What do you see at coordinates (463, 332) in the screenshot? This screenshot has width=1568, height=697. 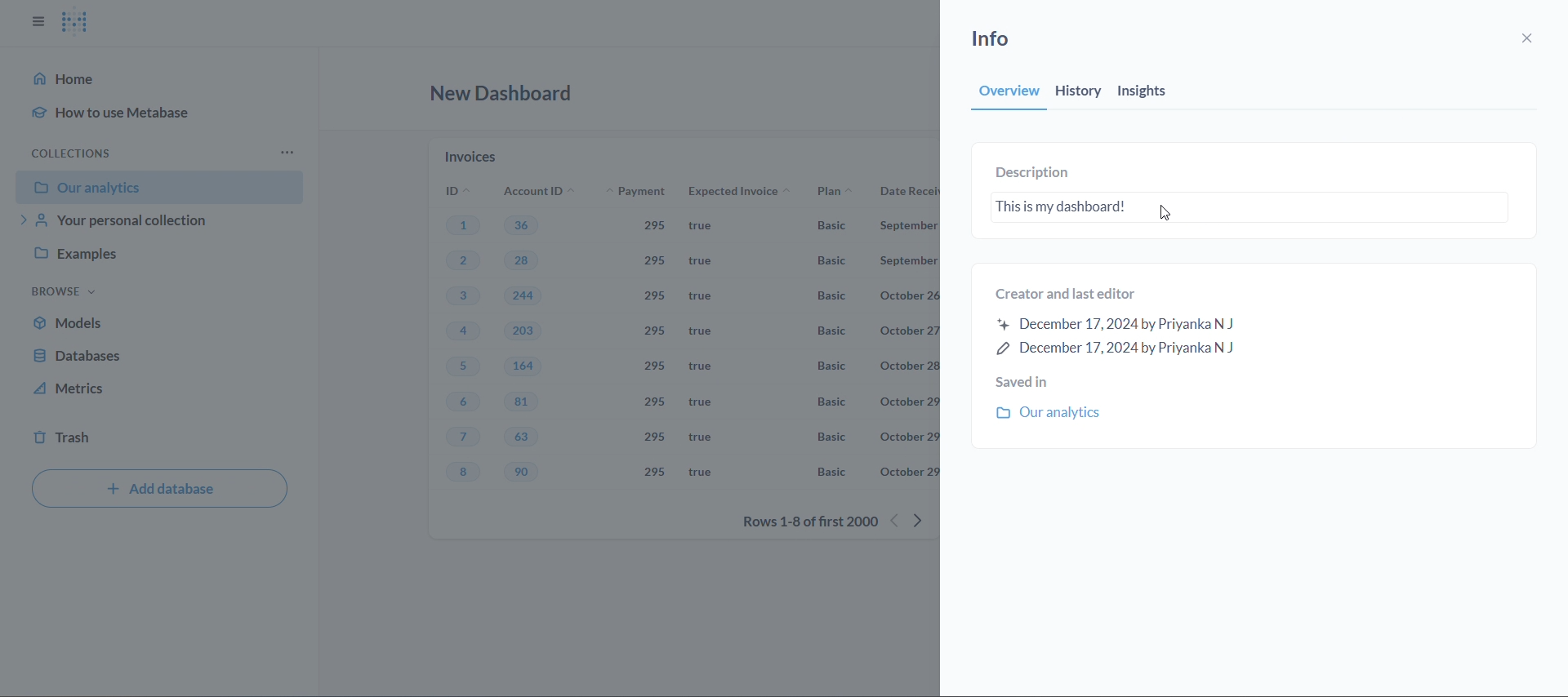 I see `4` at bounding box center [463, 332].